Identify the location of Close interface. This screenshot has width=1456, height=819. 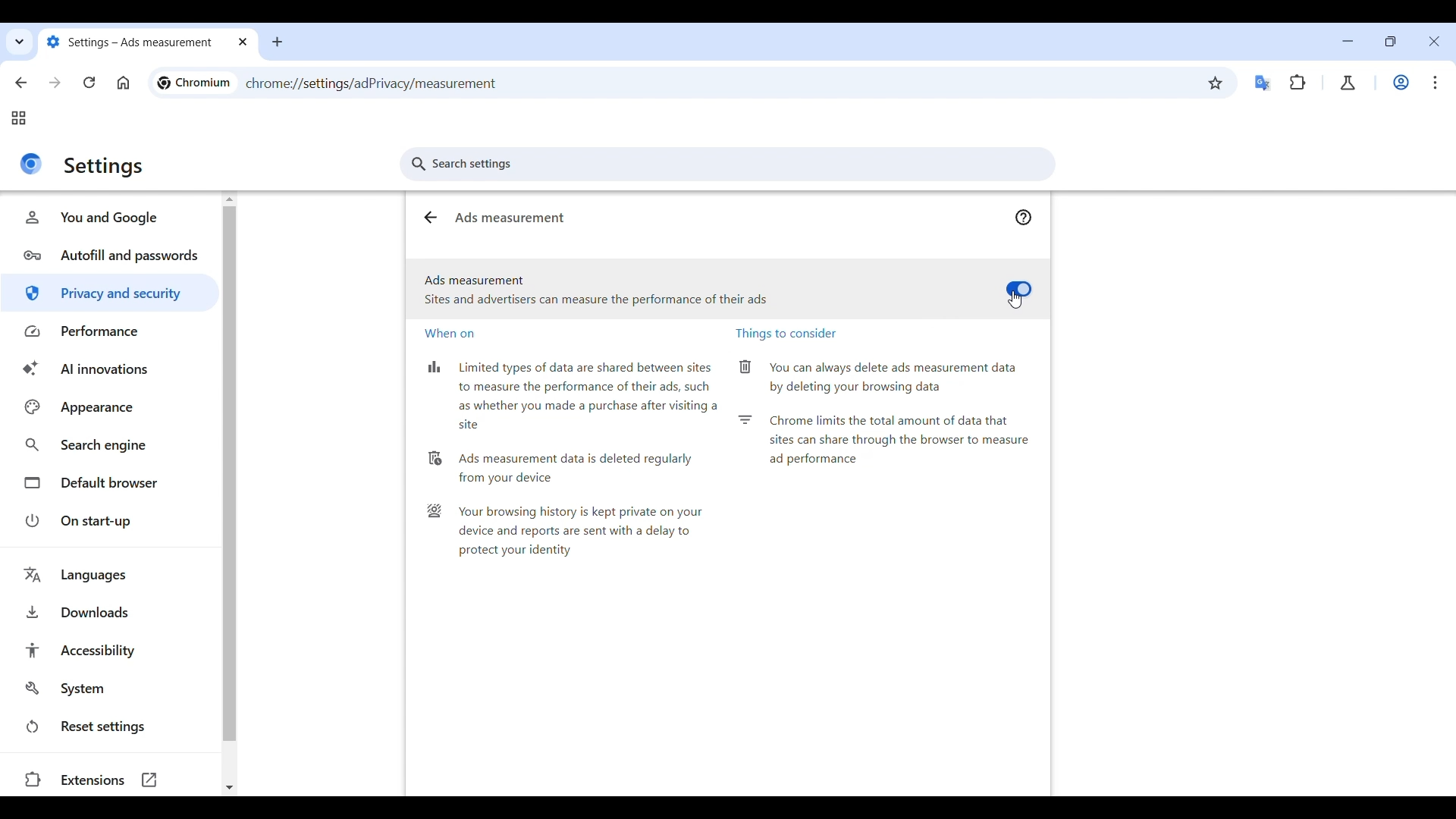
(1435, 41).